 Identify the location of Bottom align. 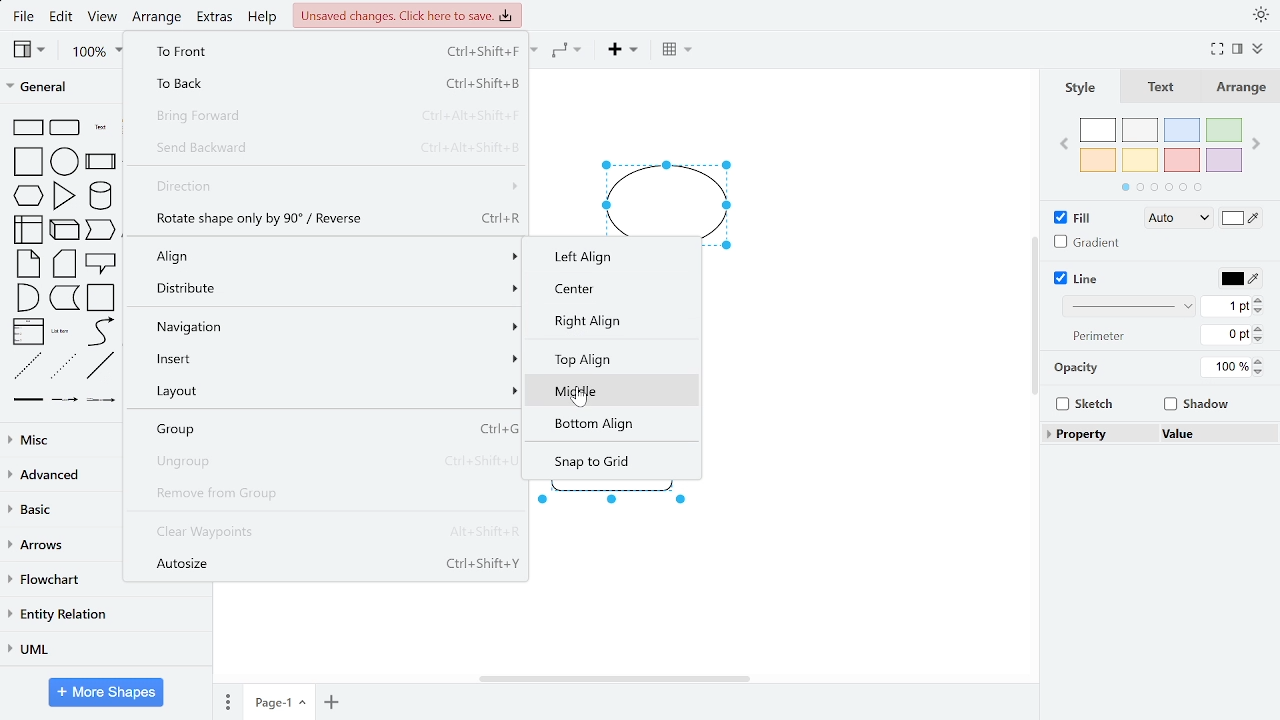
(615, 423).